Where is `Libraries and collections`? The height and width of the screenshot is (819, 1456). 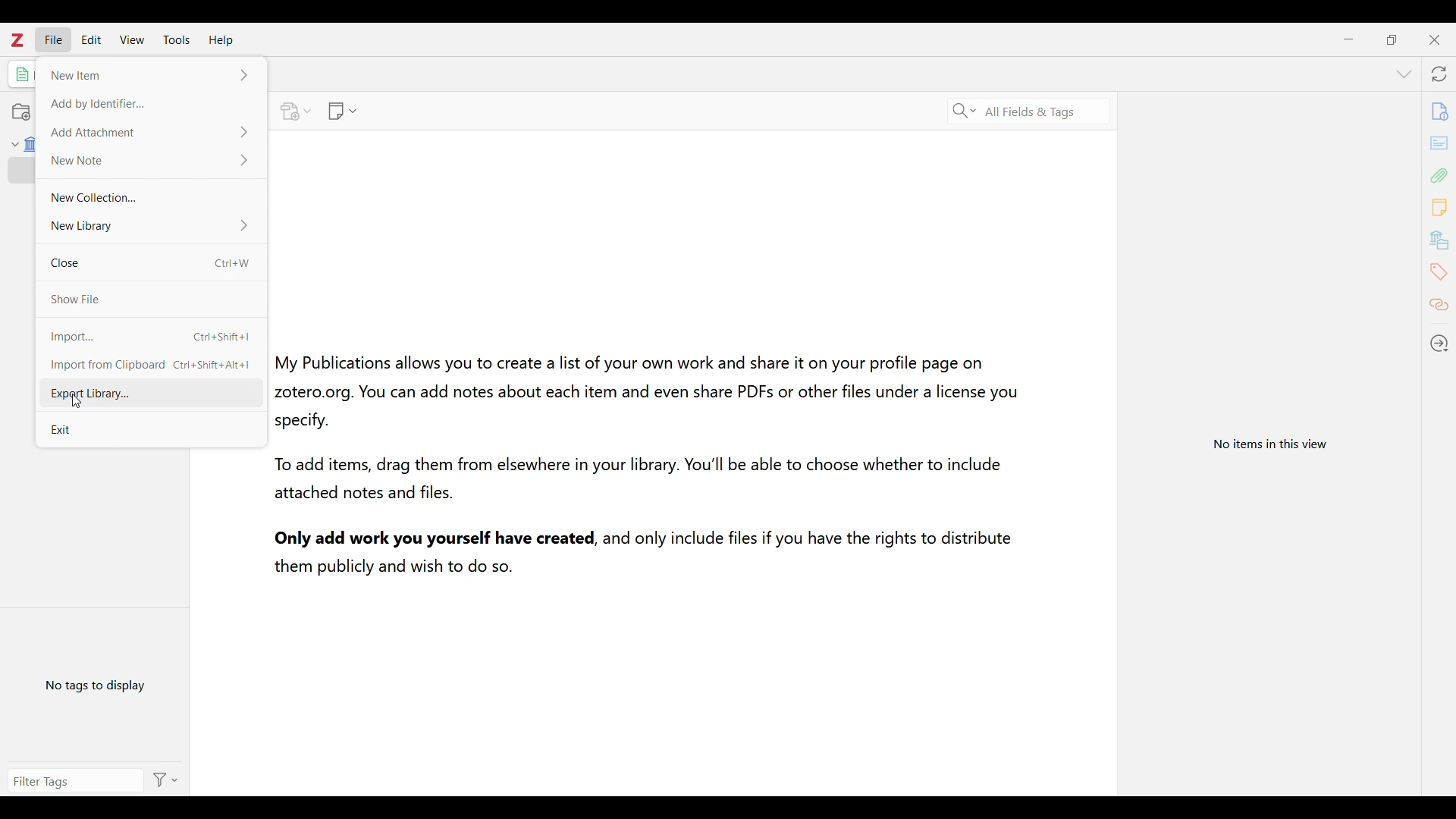 Libraries and collections is located at coordinates (1439, 239).